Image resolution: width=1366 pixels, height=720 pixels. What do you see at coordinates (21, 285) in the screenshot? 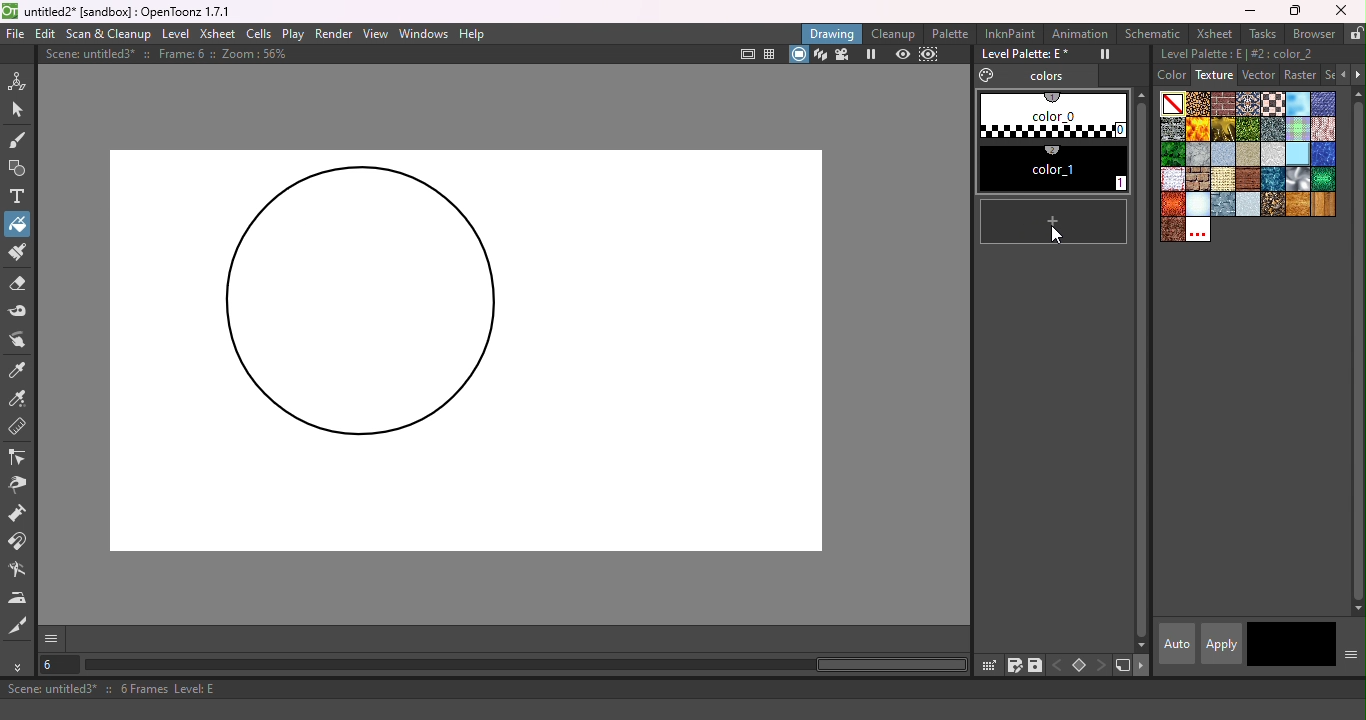
I see `Eraser tool` at bounding box center [21, 285].